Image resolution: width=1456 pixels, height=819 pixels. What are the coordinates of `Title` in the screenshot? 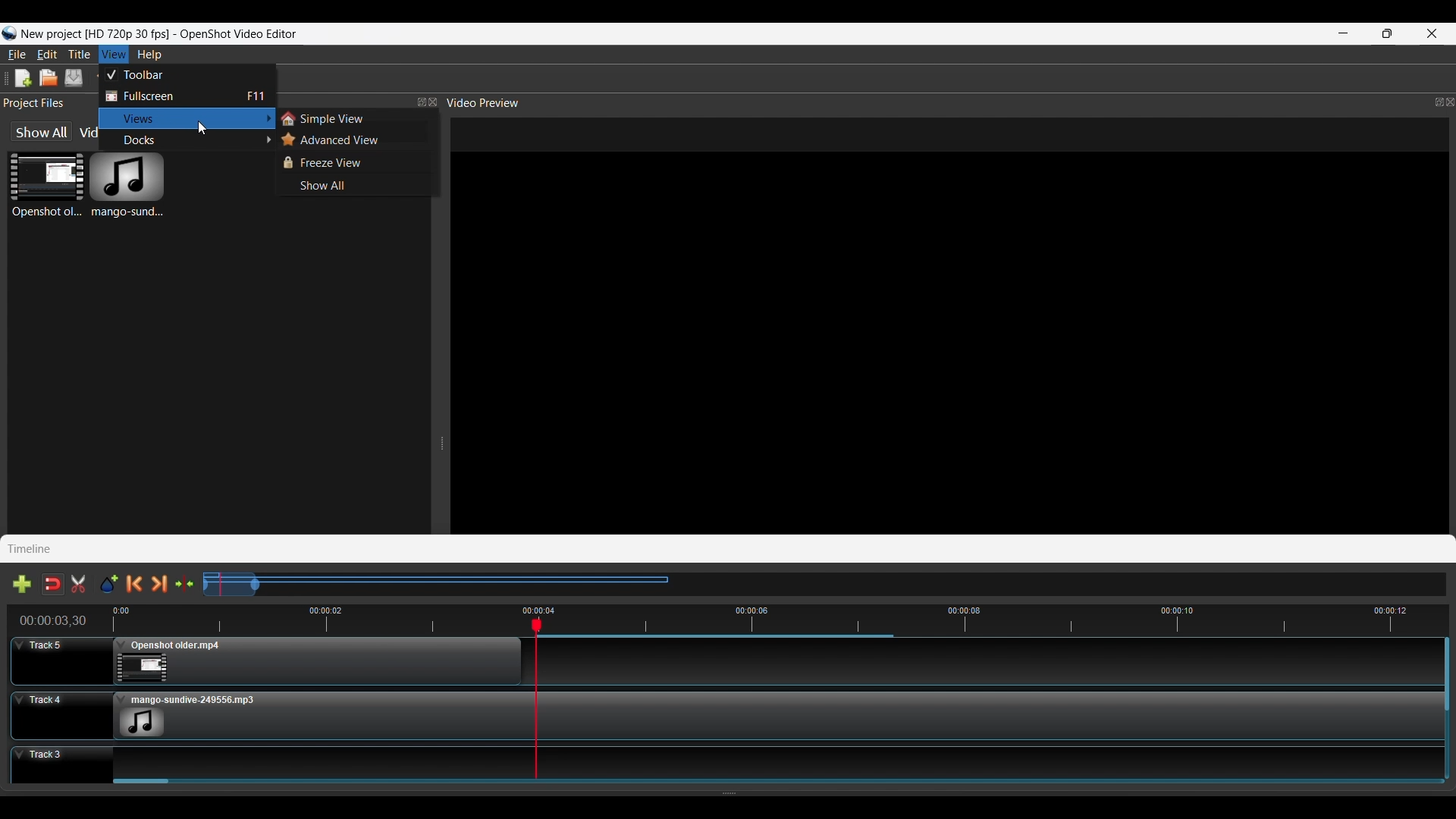 It's located at (80, 54).